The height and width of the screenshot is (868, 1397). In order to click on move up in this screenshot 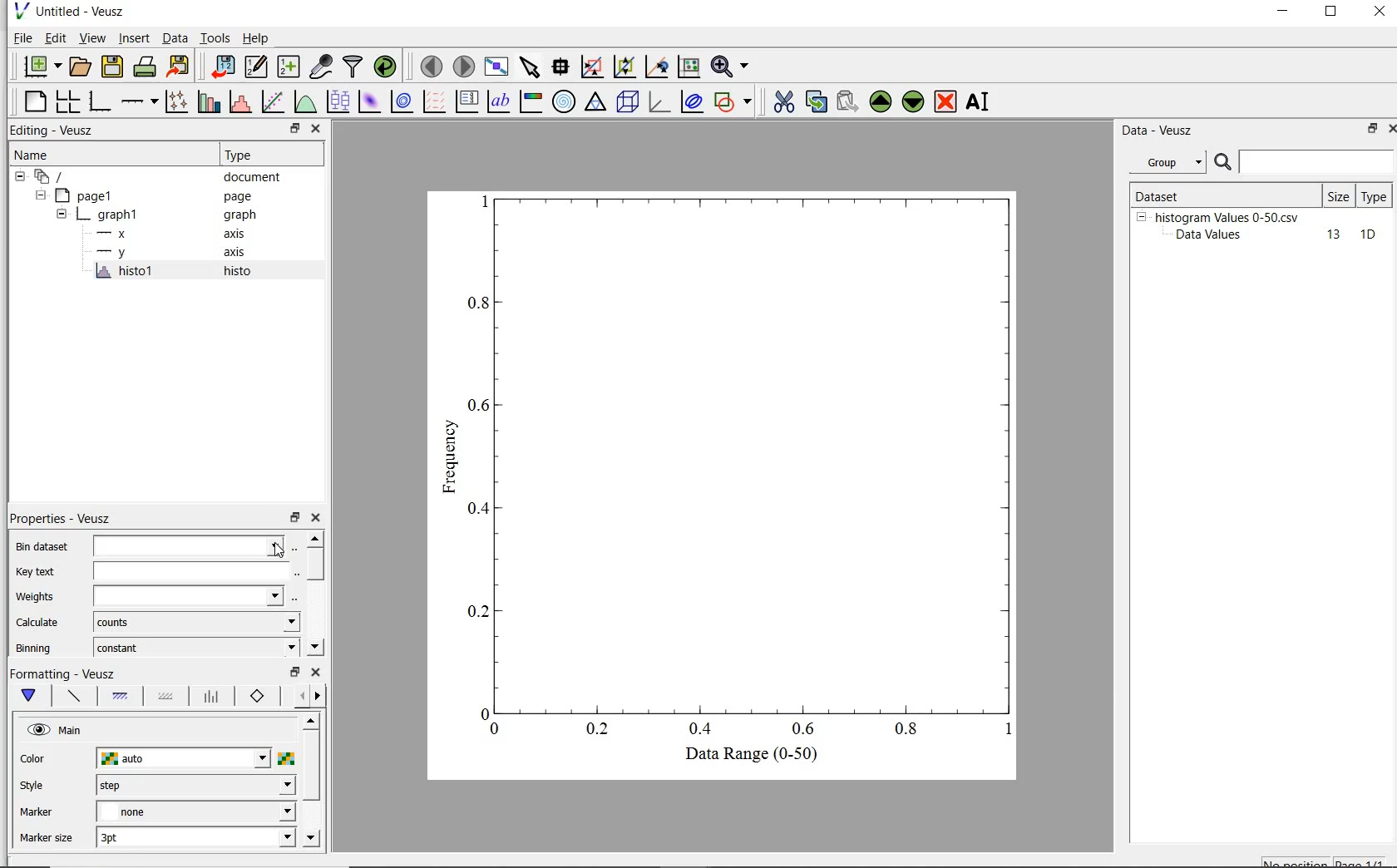, I will do `click(310, 720)`.